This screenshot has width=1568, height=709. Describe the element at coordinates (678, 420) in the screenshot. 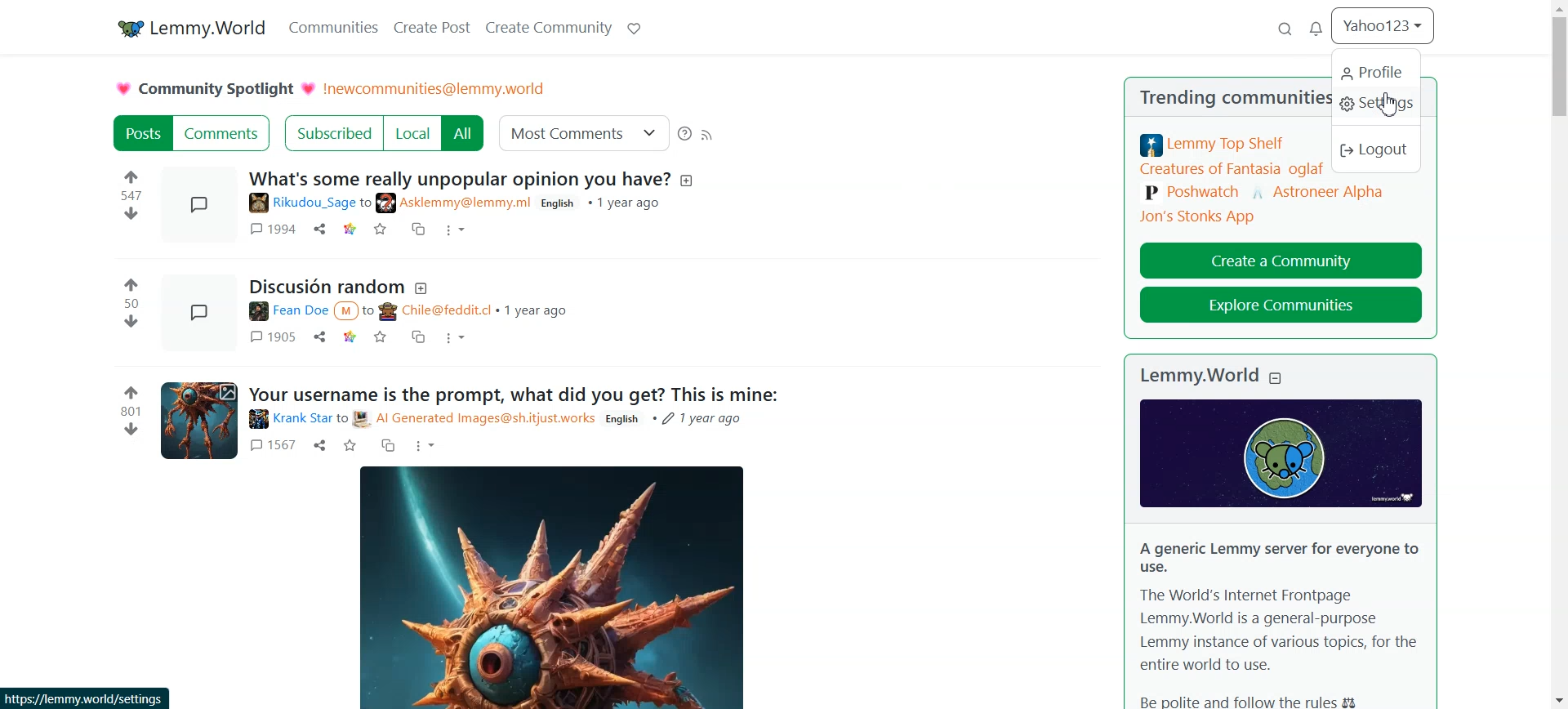

I see `English 1 year ago` at that location.